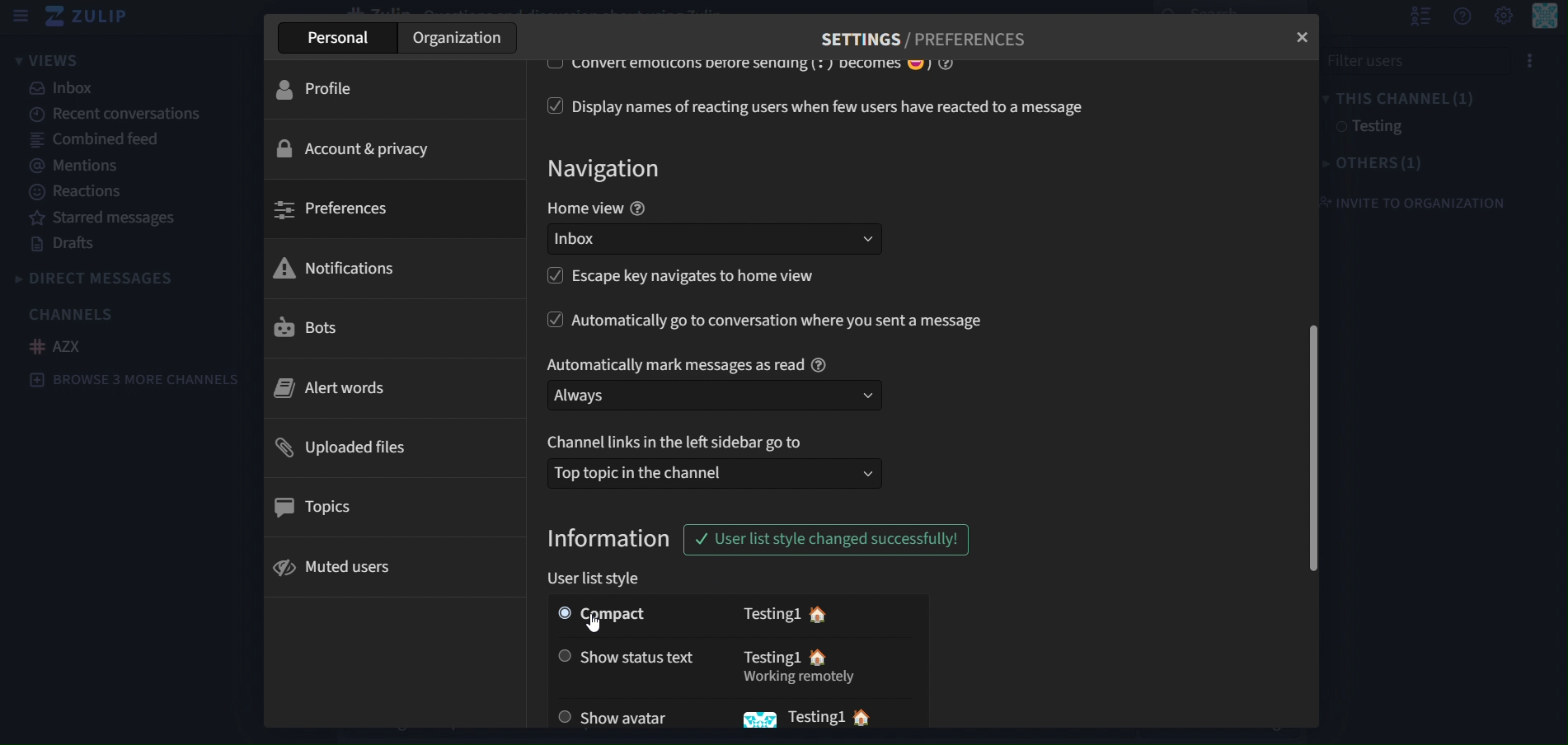  I want to click on reactions, so click(89, 192).